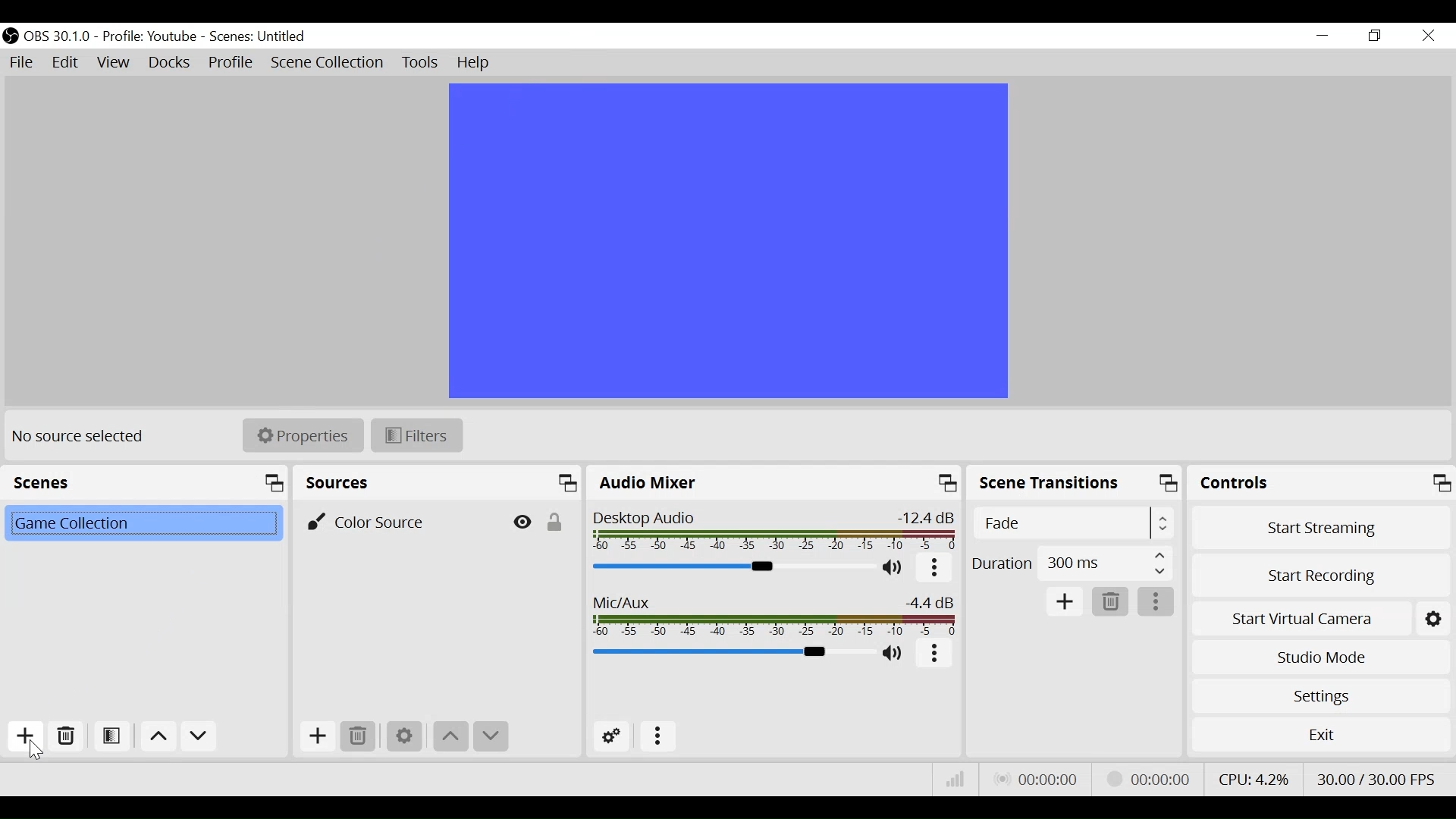 Image resolution: width=1456 pixels, height=819 pixels. What do you see at coordinates (1322, 482) in the screenshot?
I see `Controls` at bounding box center [1322, 482].